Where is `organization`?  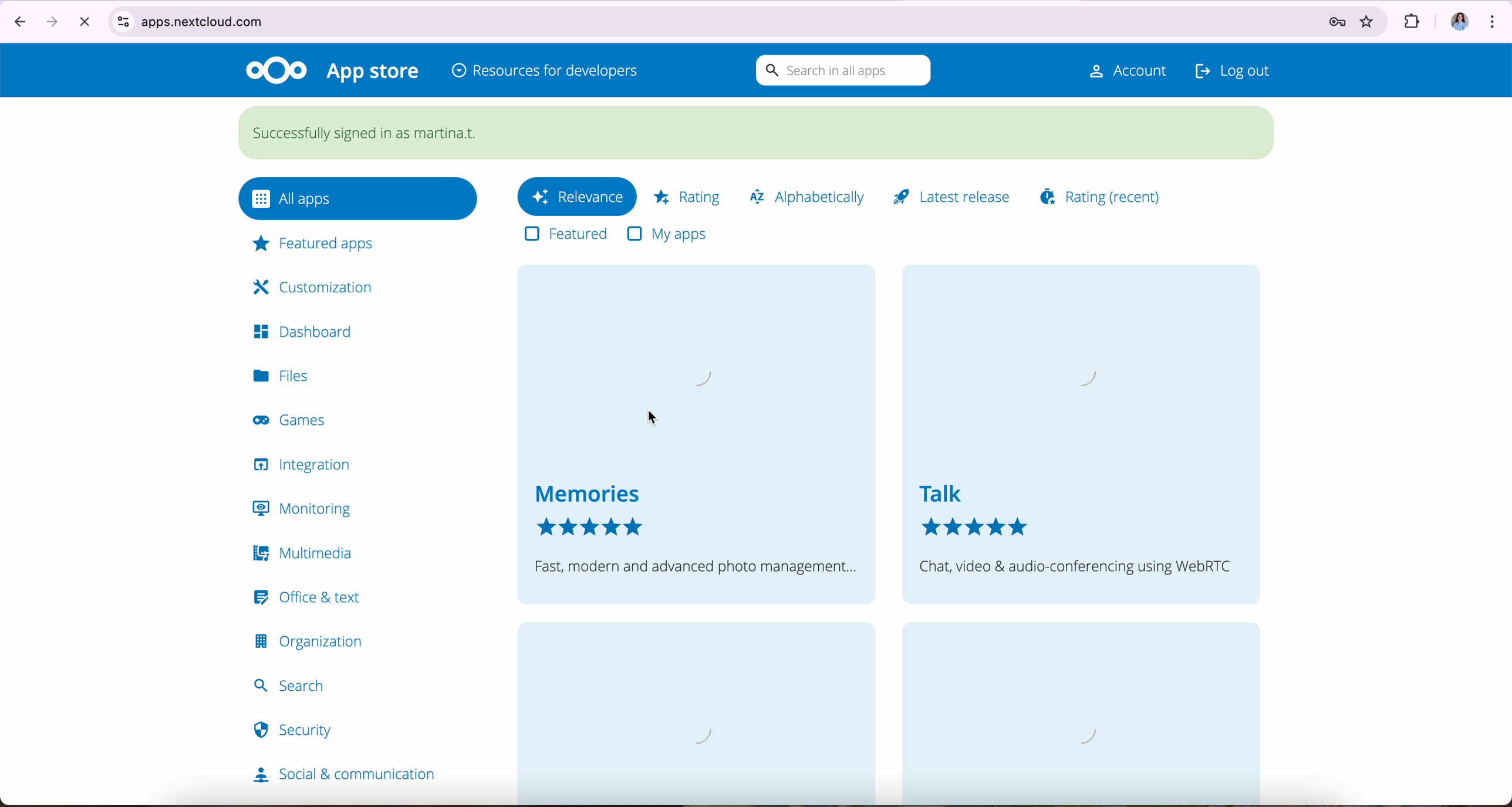
organization is located at coordinates (311, 642).